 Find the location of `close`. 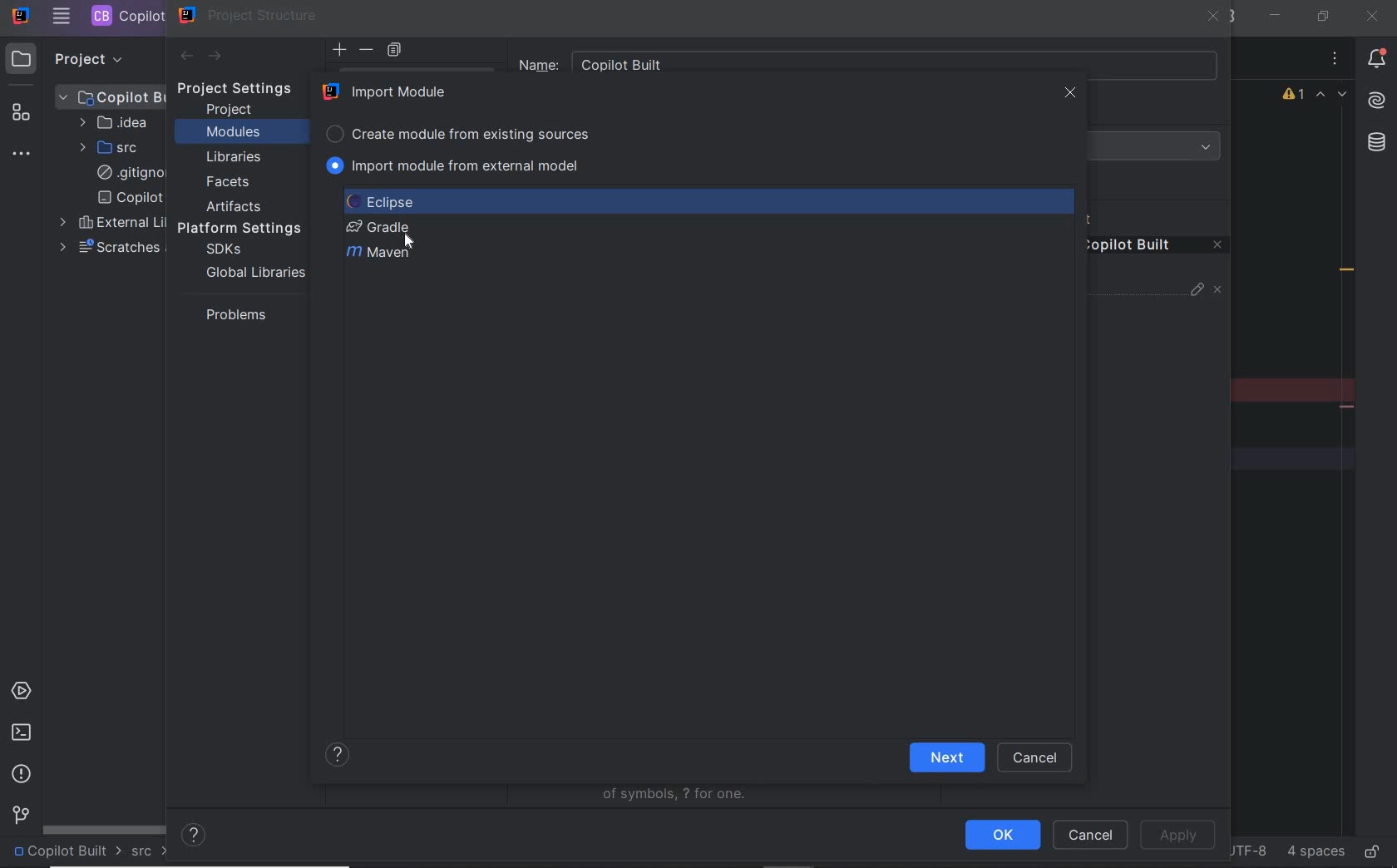

close is located at coordinates (1214, 18).